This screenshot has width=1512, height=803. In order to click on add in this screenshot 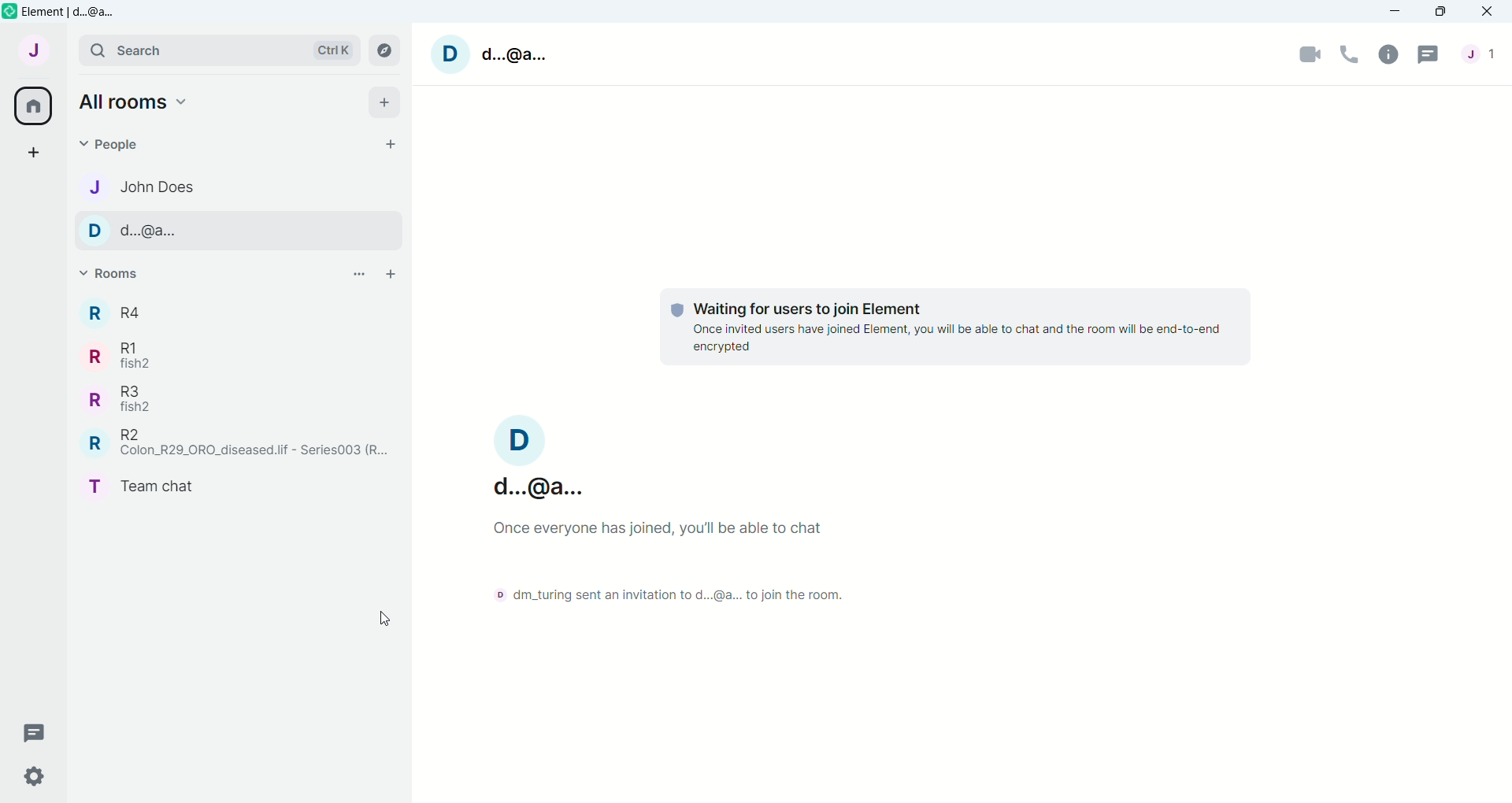, I will do `click(388, 102)`.